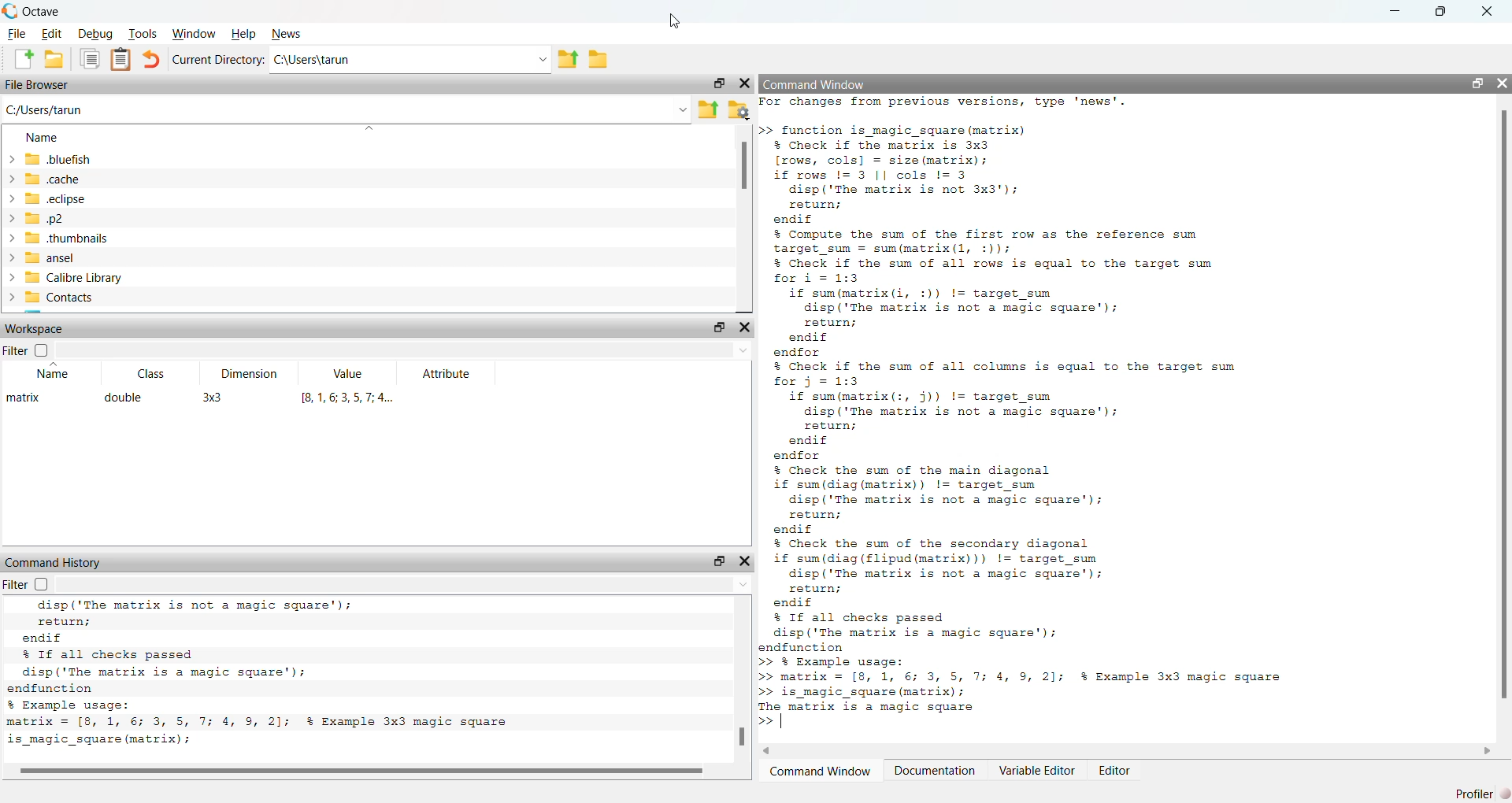 This screenshot has height=803, width=1512. Describe the element at coordinates (43, 12) in the screenshot. I see `Octave` at that location.